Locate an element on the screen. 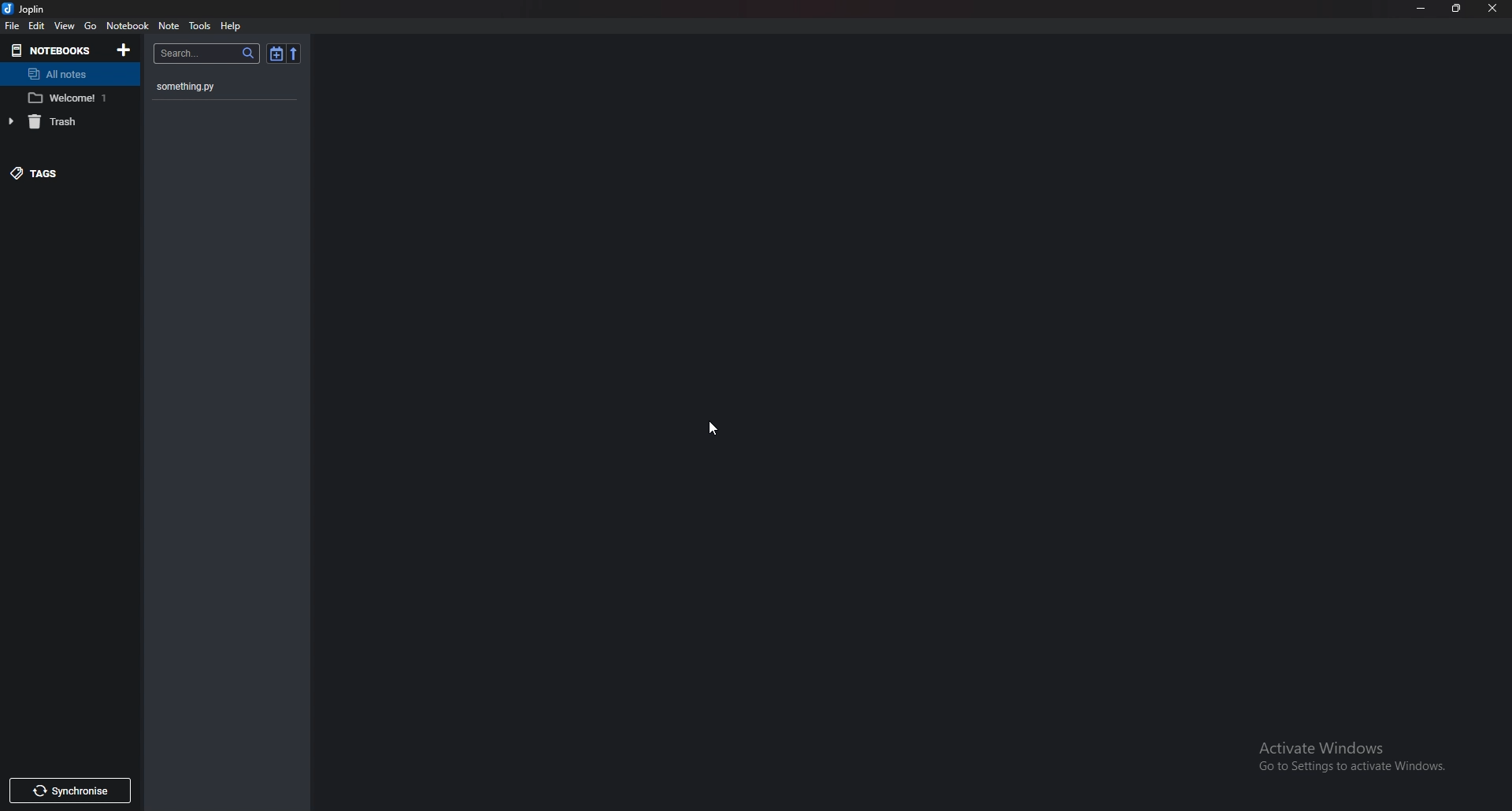  trash is located at coordinates (63, 120).